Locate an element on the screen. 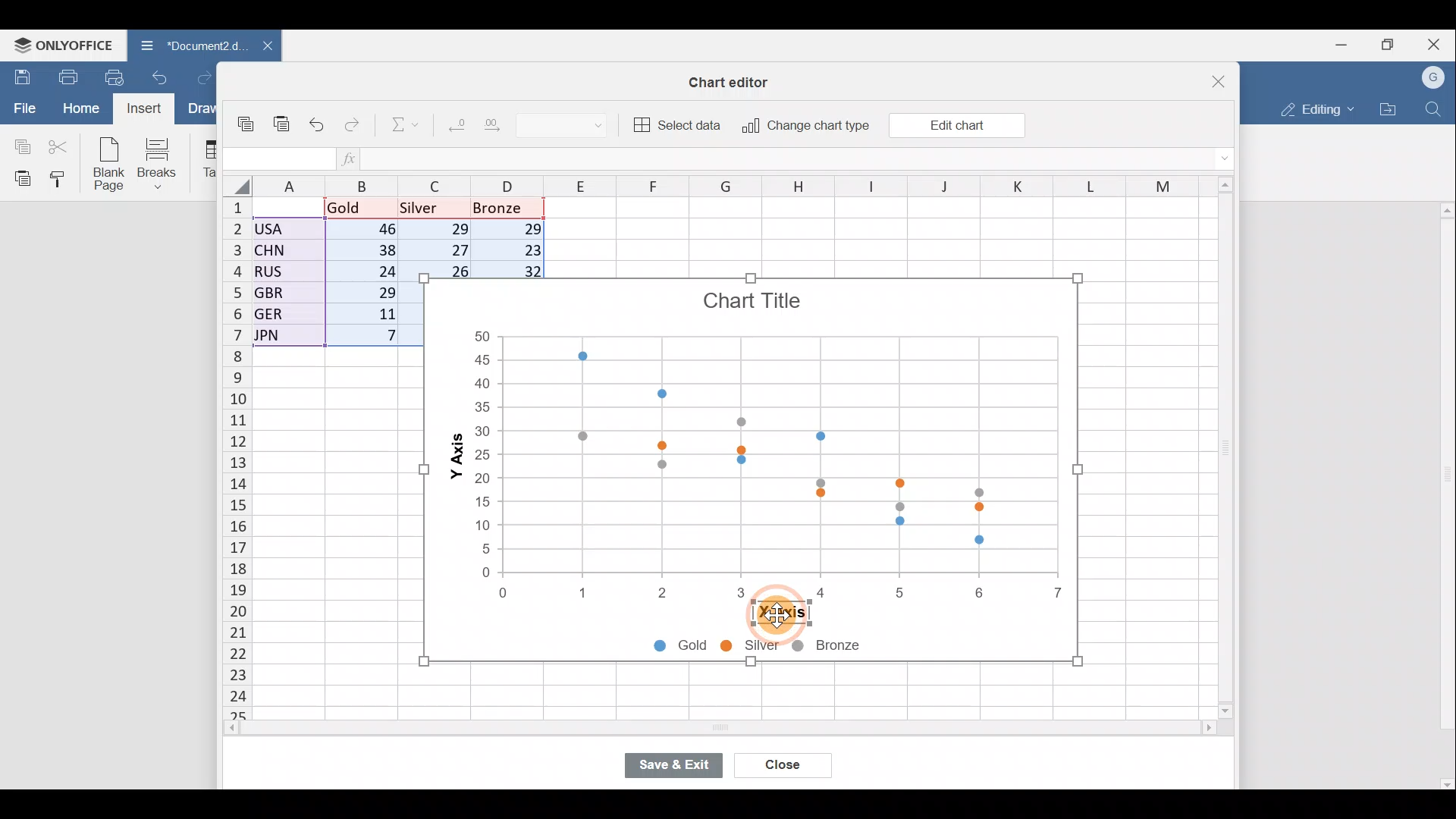 Image resolution: width=1456 pixels, height=819 pixels. Cut is located at coordinates (60, 146).